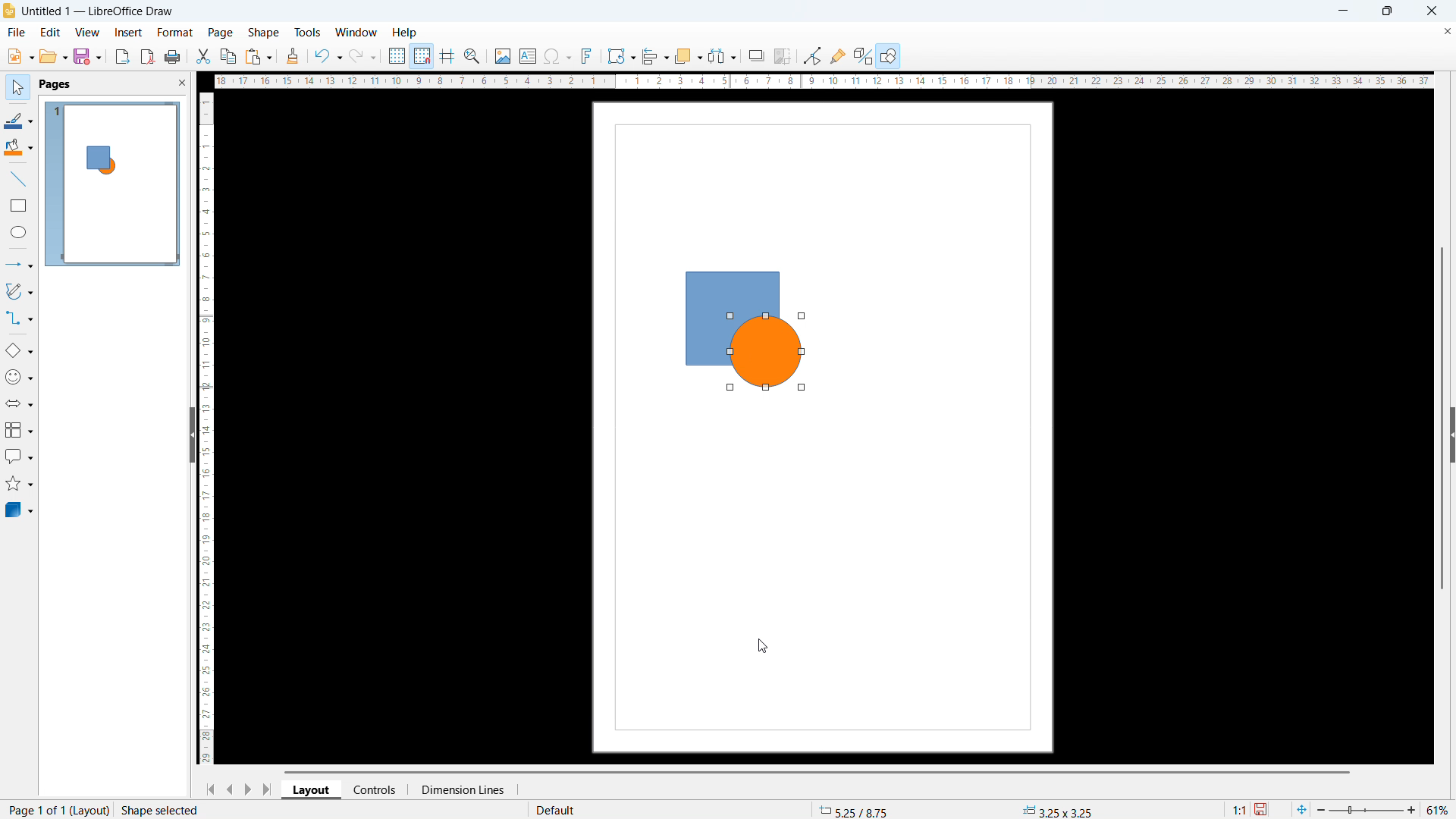  I want to click on Go to last page , so click(266, 789).